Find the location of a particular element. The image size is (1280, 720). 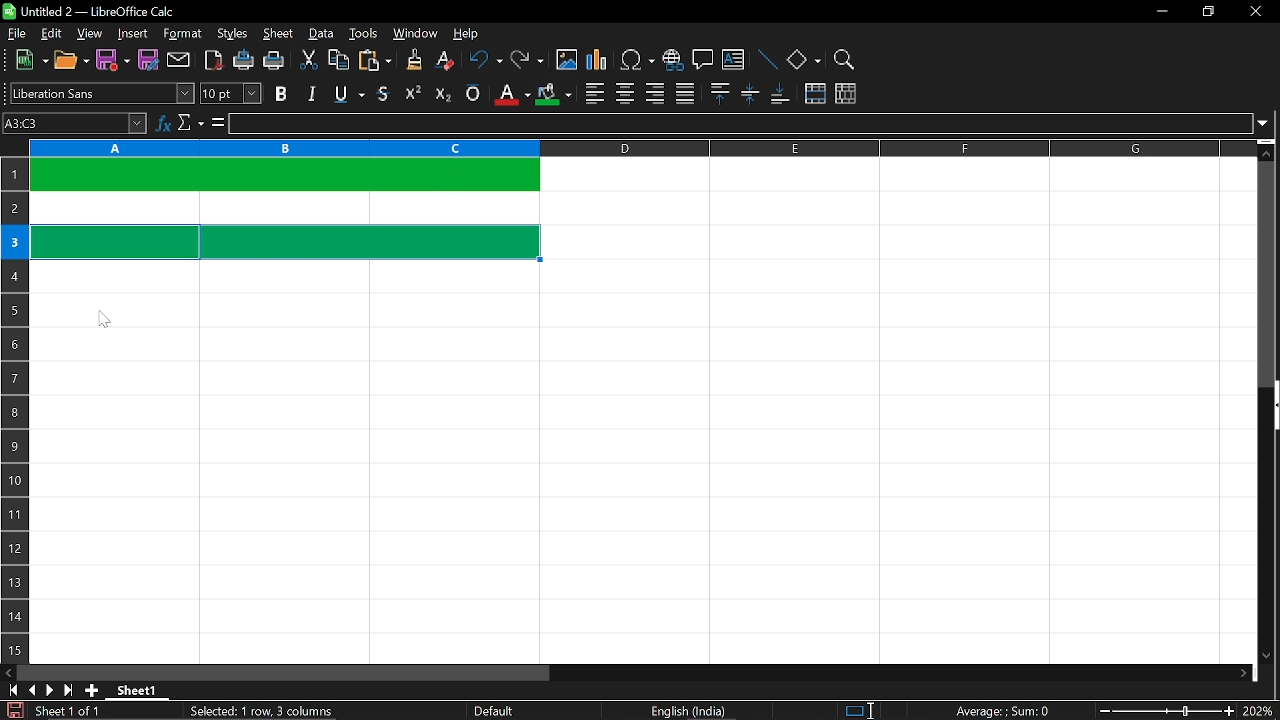

tools is located at coordinates (364, 35).